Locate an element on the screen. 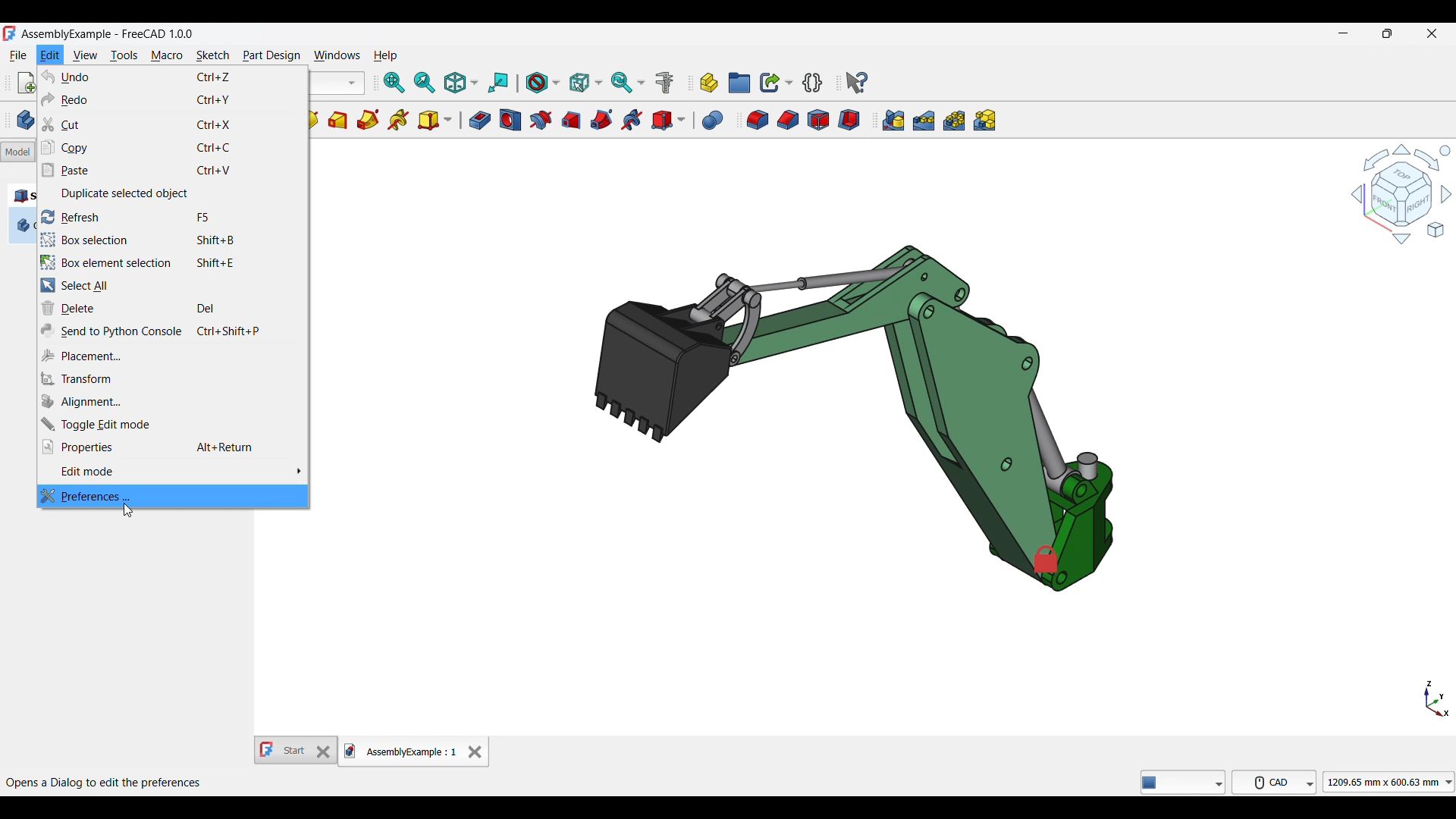  Show in smaller tab is located at coordinates (1388, 33).